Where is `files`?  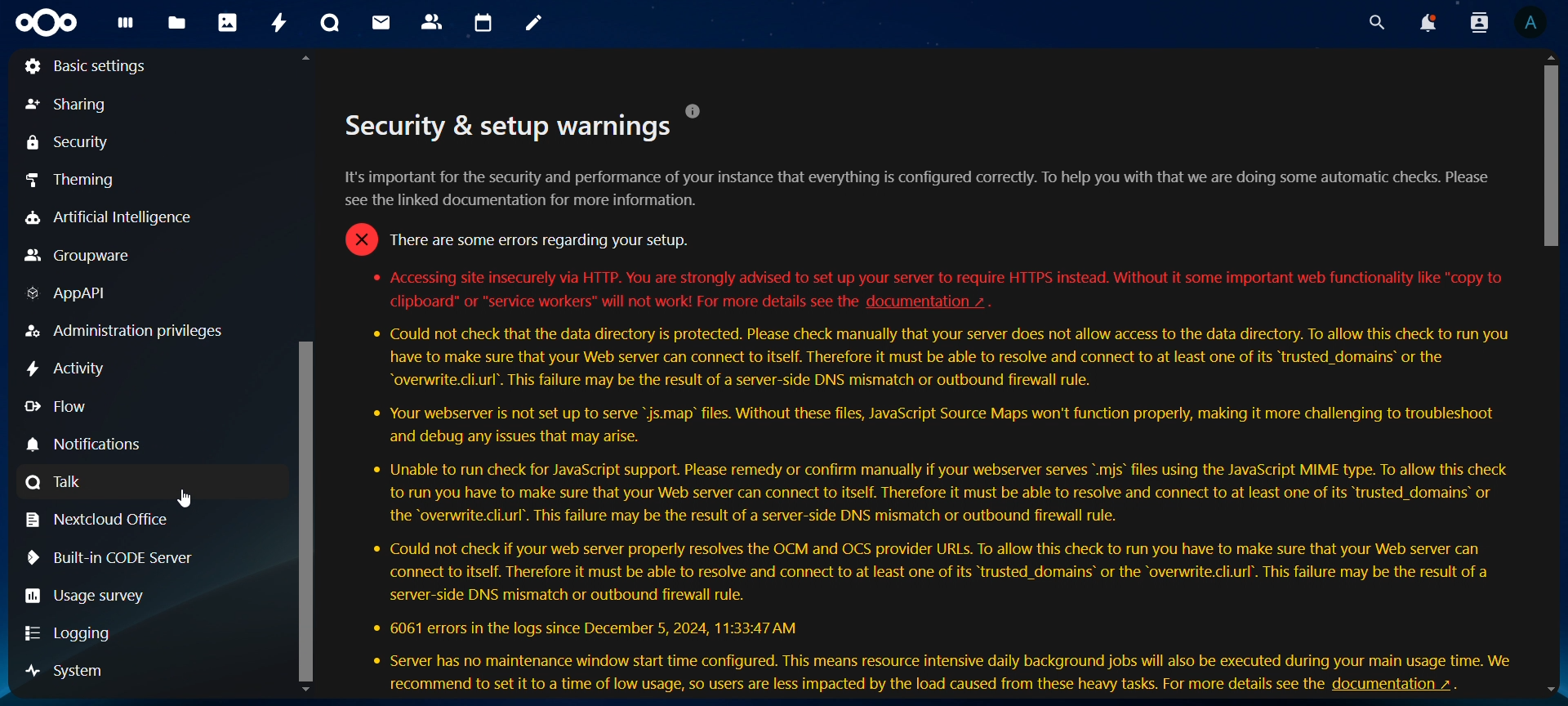
files is located at coordinates (178, 23).